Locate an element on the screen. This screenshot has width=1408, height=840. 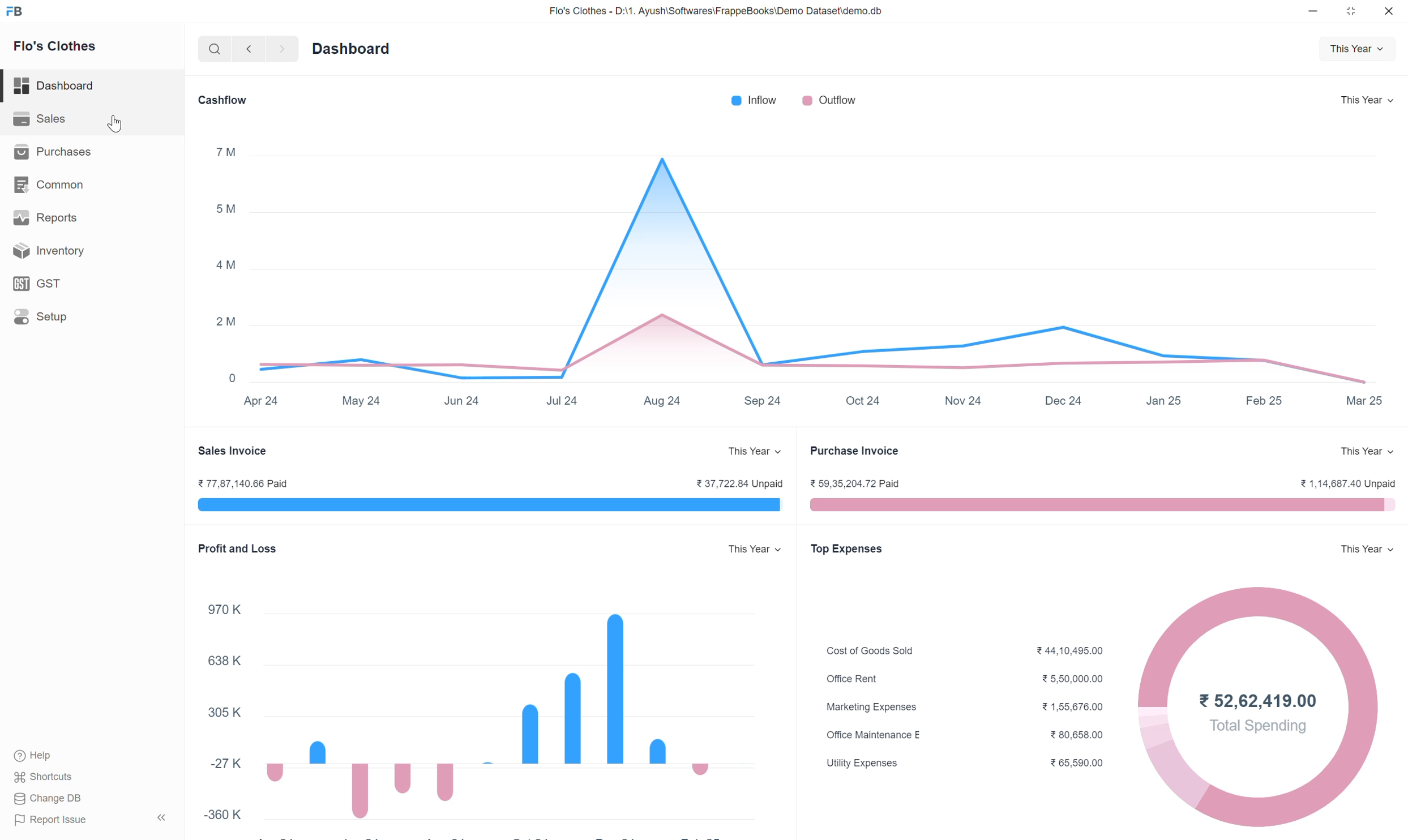
Setup is located at coordinates (40, 316).